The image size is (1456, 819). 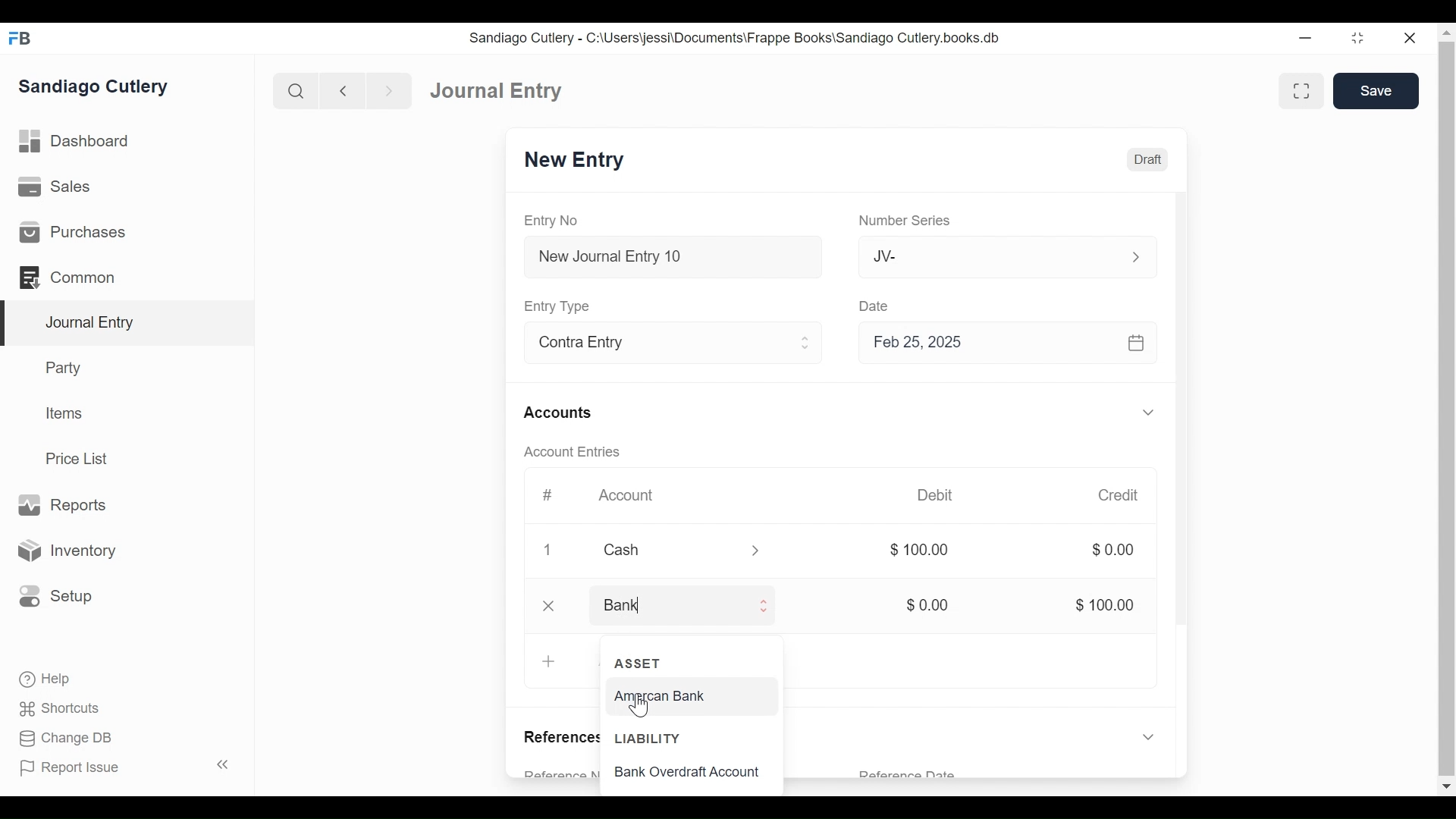 I want to click on New Journal Entry 10, so click(x=675, y=257).